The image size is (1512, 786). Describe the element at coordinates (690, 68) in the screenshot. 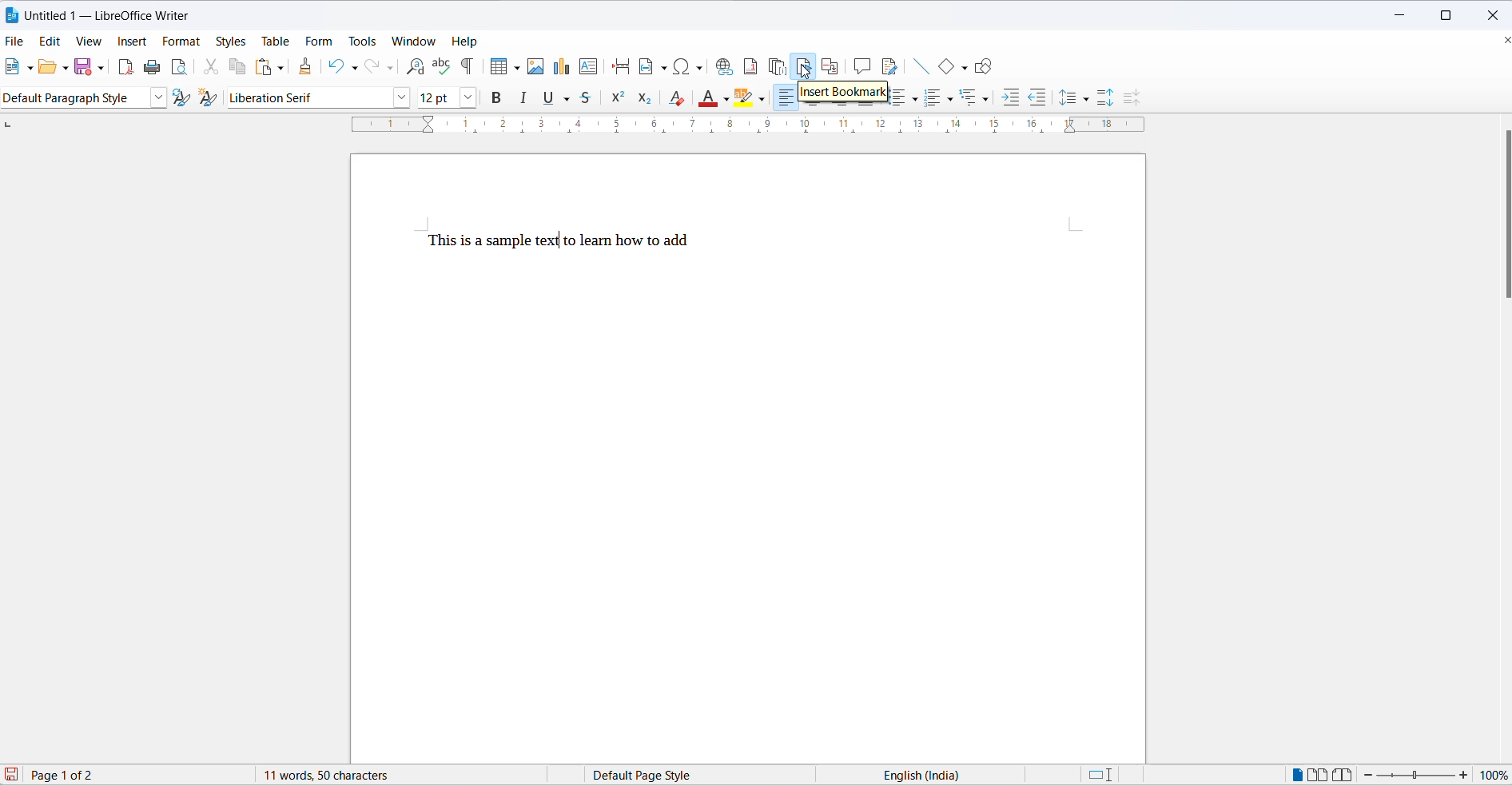

I see `special characters` at that location.